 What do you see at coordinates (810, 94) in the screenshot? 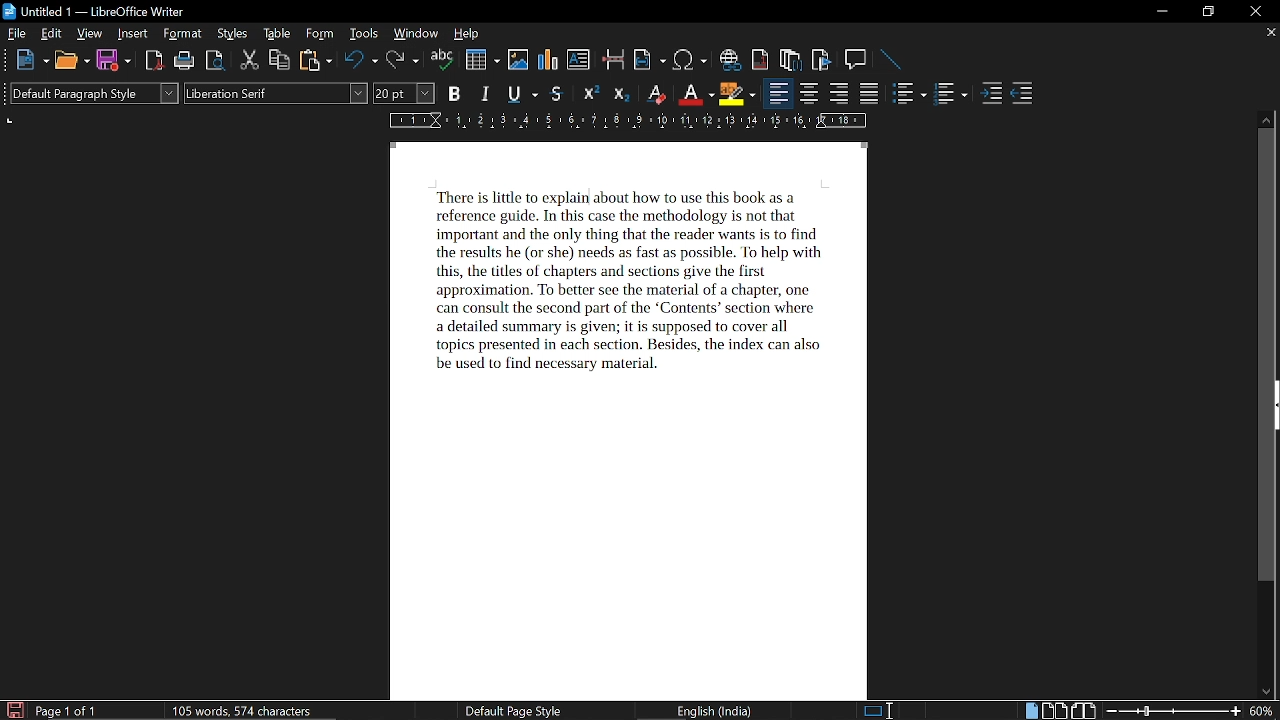
I see `center` at bounding box center [810, 94].